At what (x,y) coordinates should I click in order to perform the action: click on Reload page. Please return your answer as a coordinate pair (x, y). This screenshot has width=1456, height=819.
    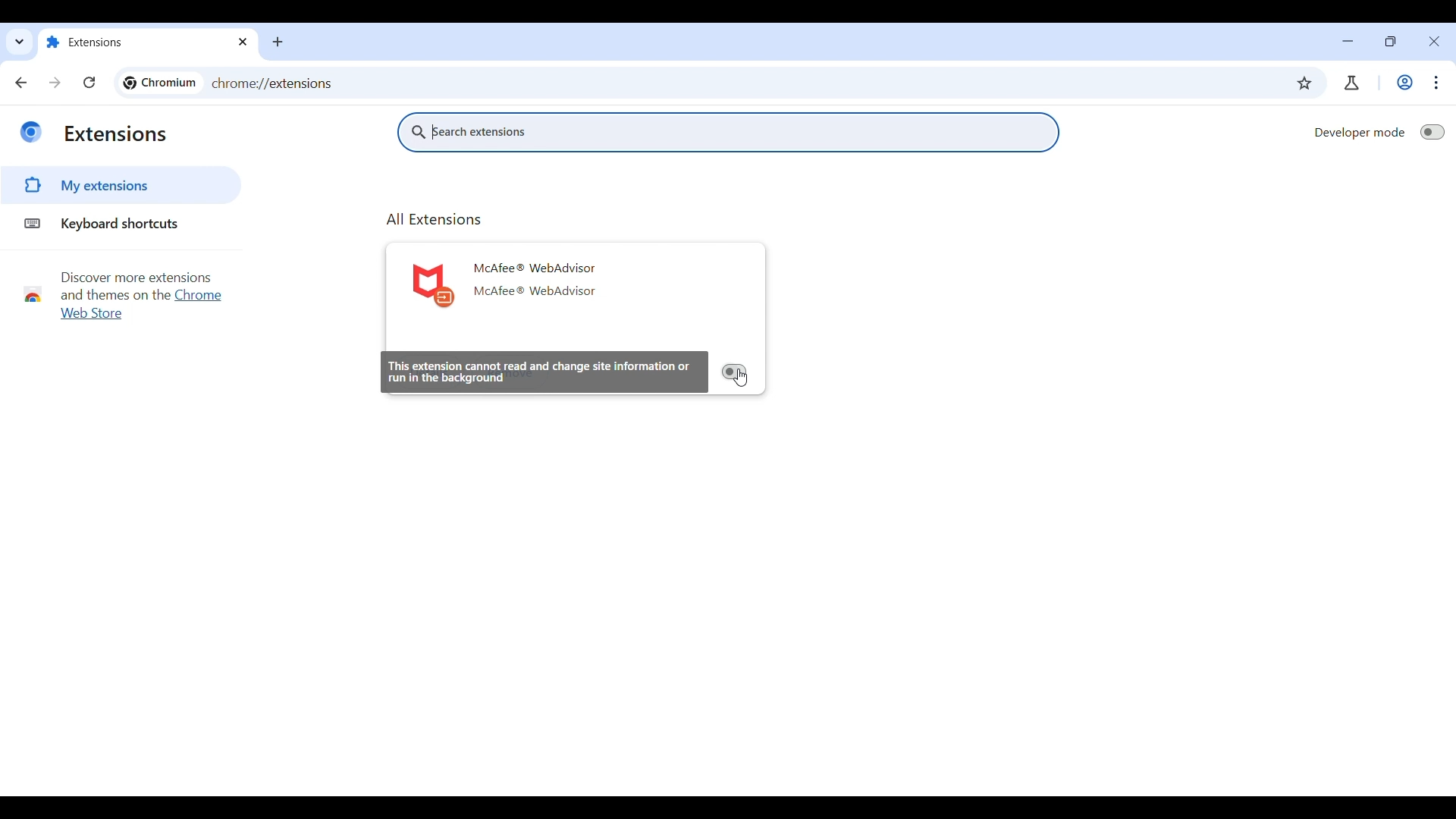
    Looking at the image, I should click on (89, 82).